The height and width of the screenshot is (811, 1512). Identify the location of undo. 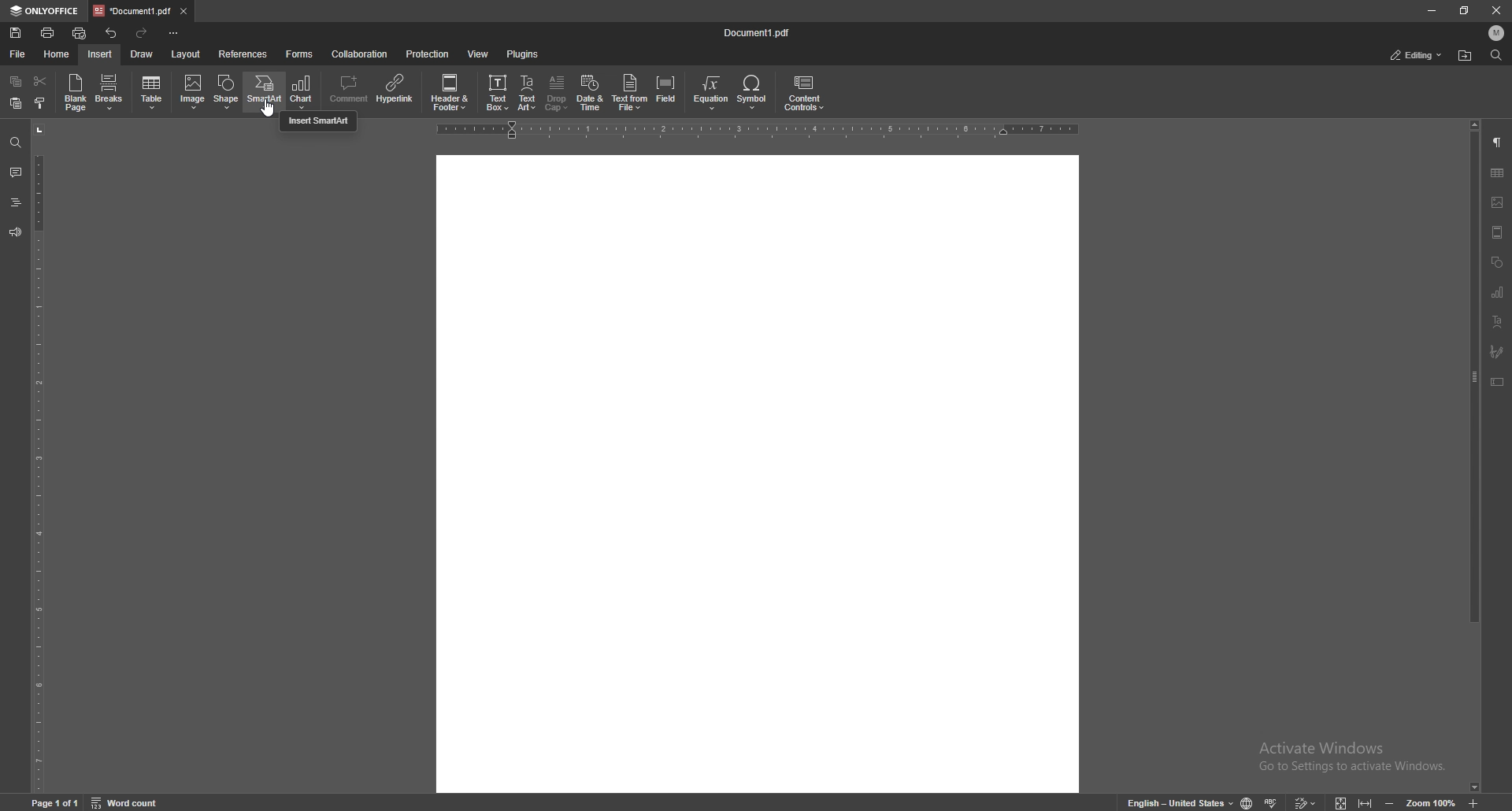
(112, 33).